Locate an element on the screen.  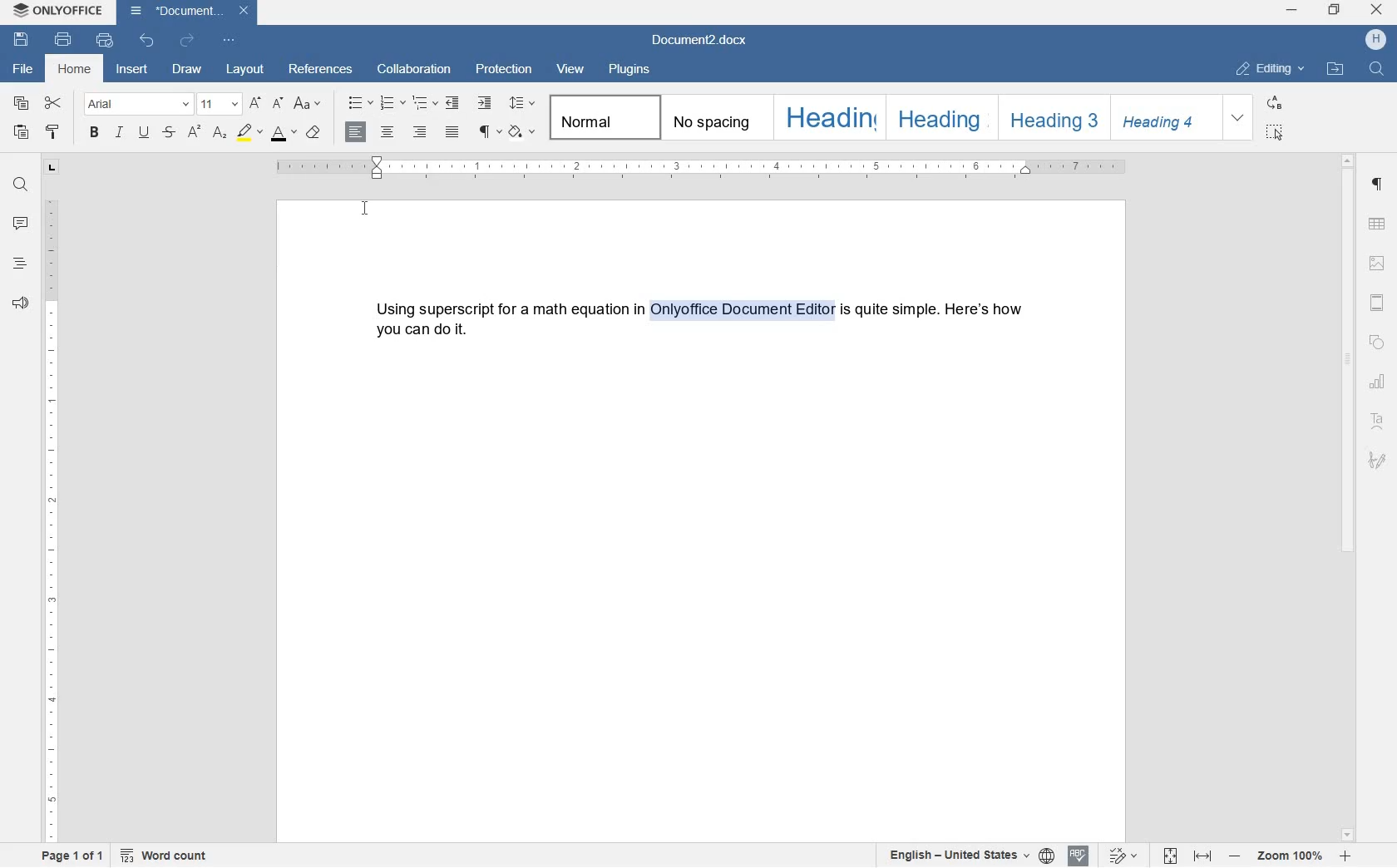
copy is located at coordinates (22, 104).